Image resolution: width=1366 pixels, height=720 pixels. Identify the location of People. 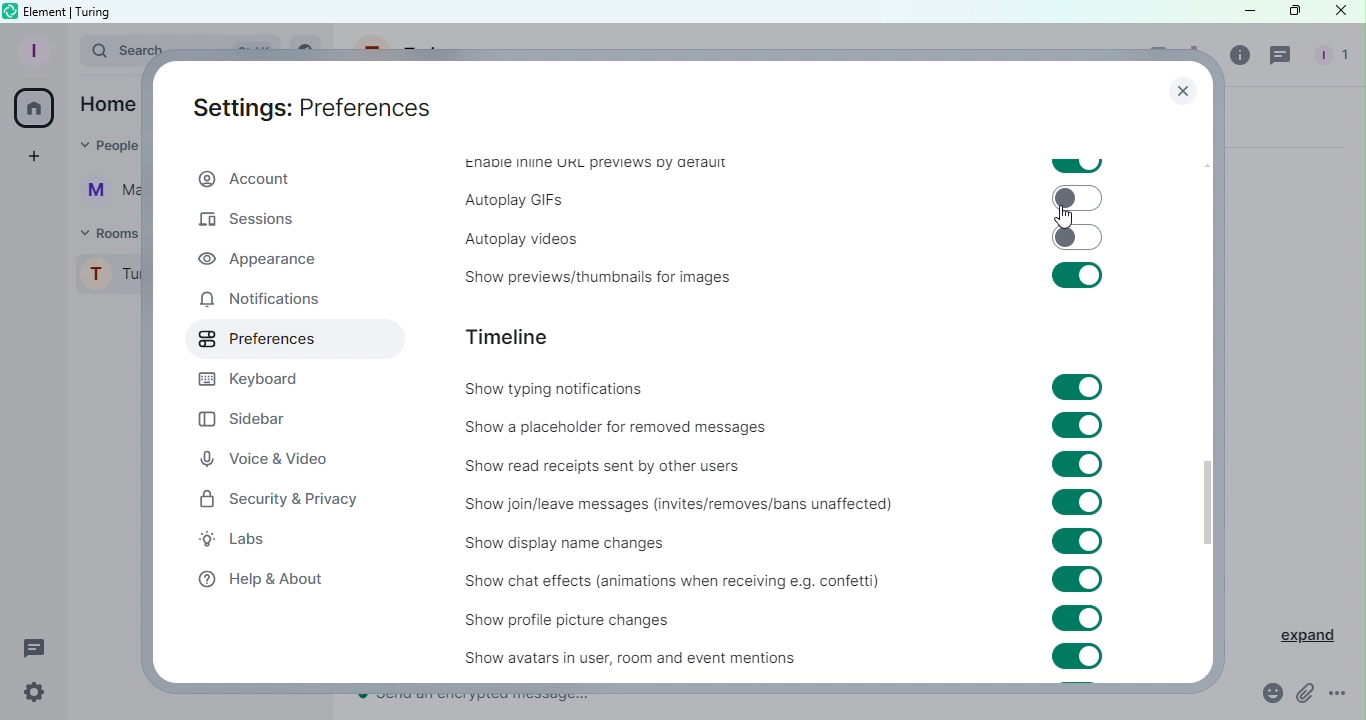
(1328, 57).